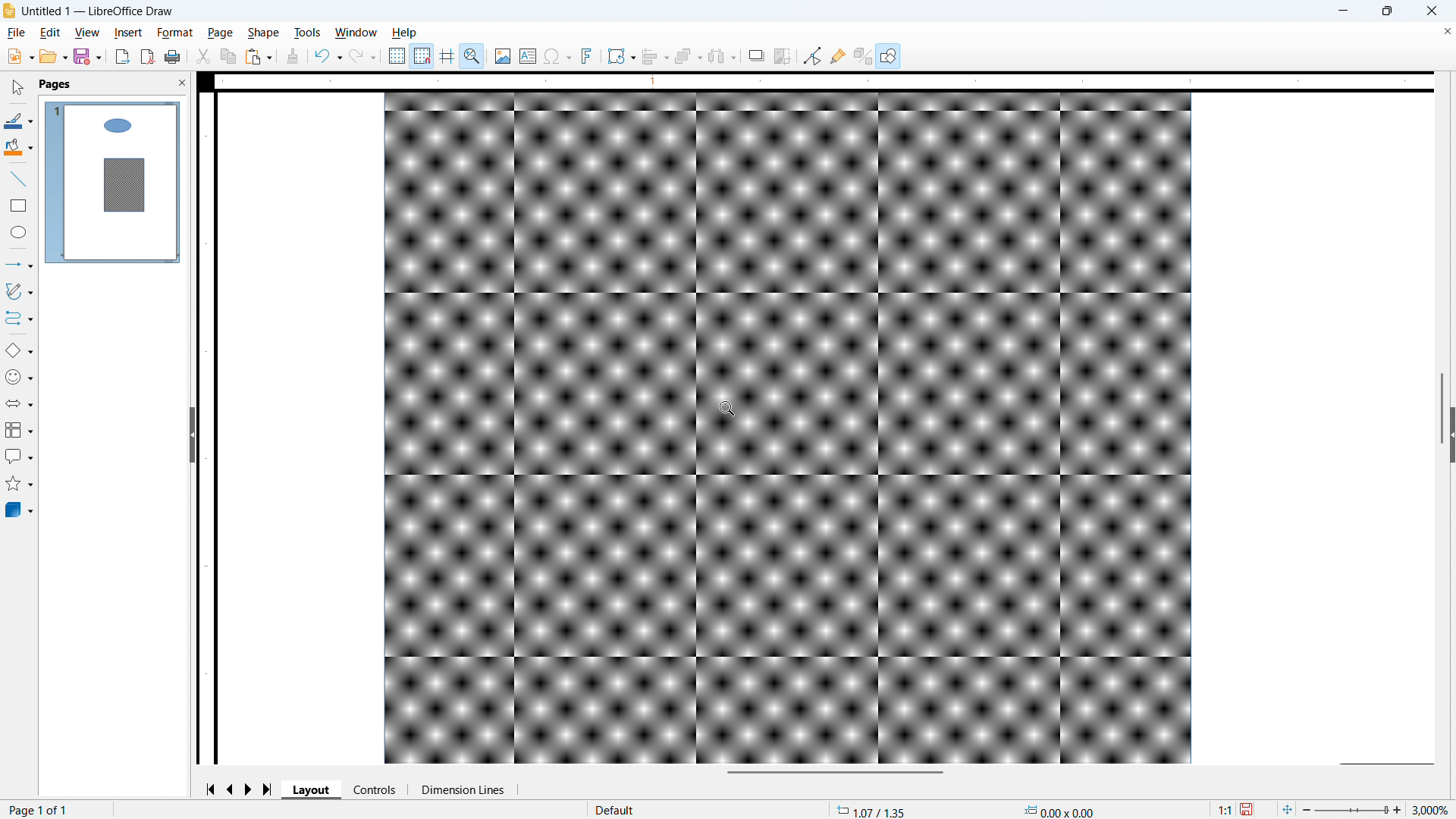  What do you see at coordinates (888, 55) in the screenshot?
I see `Show draw functions ` at bounding box center [888, 55].